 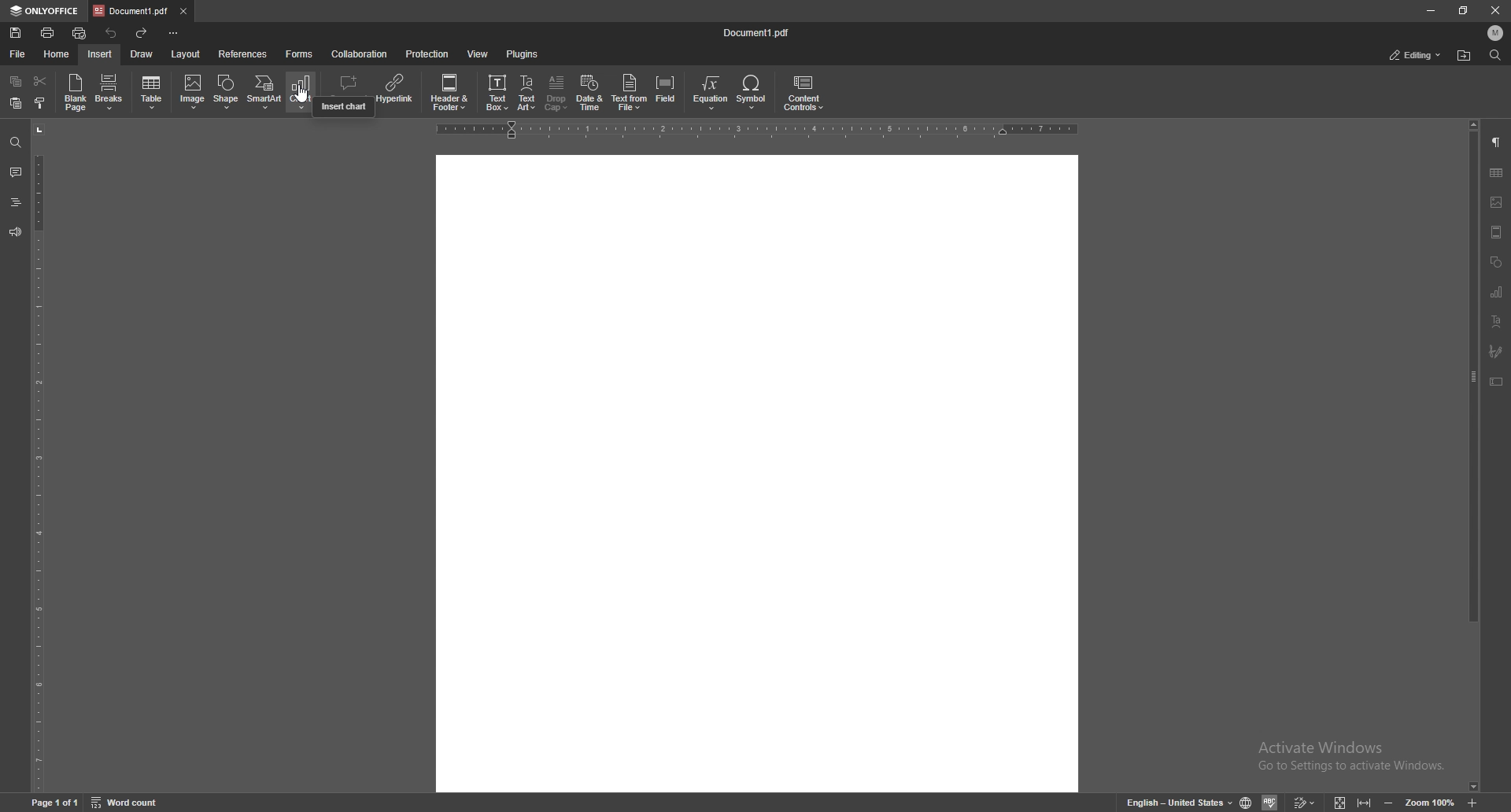 What do you see at coordinates (758, 129) in the screenshot?
I see `horizontal scale` at bounding box center [758, 129].